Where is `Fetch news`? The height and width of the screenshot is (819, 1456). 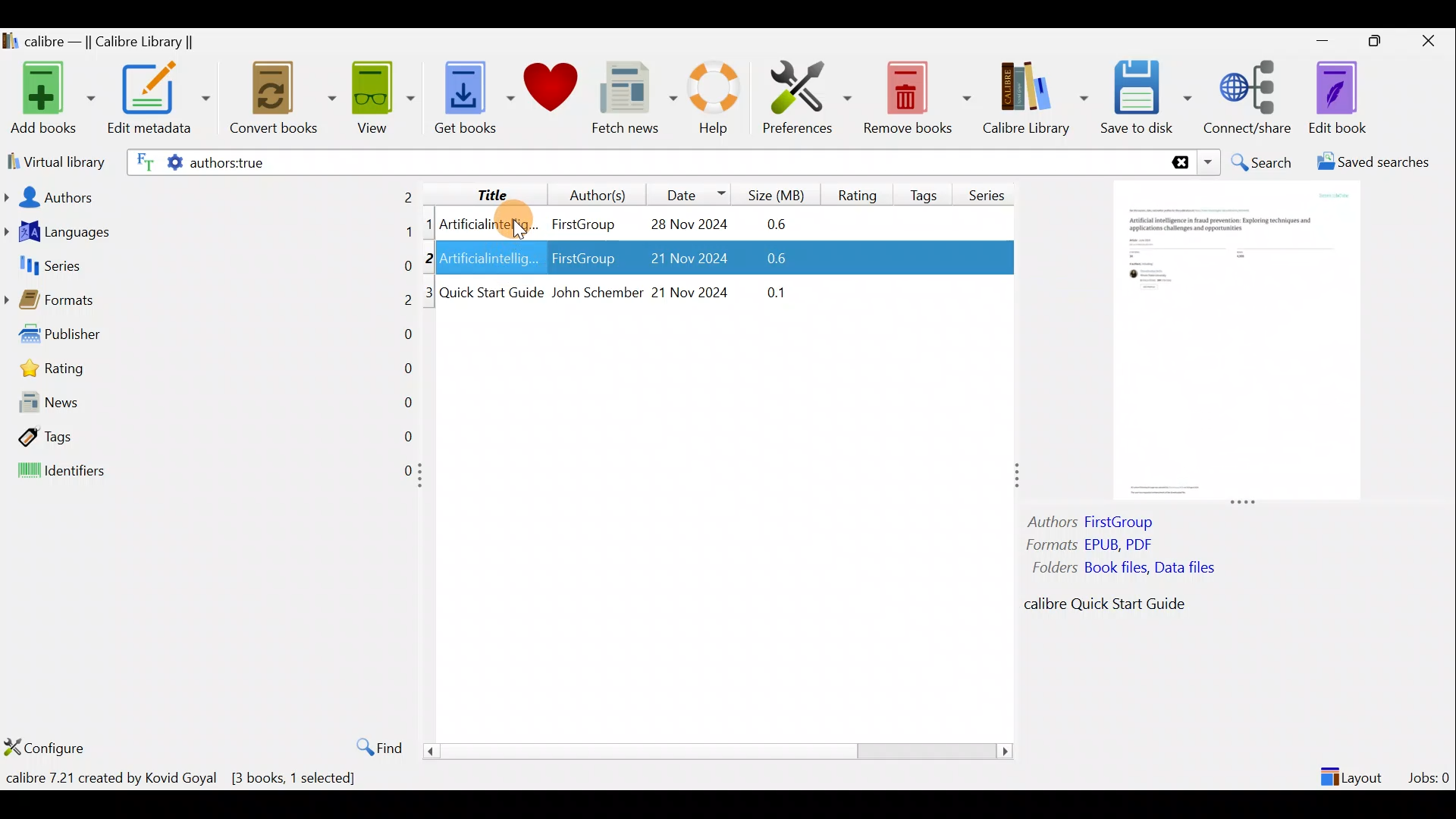 Fetch news is located at coordinates (631, 102).